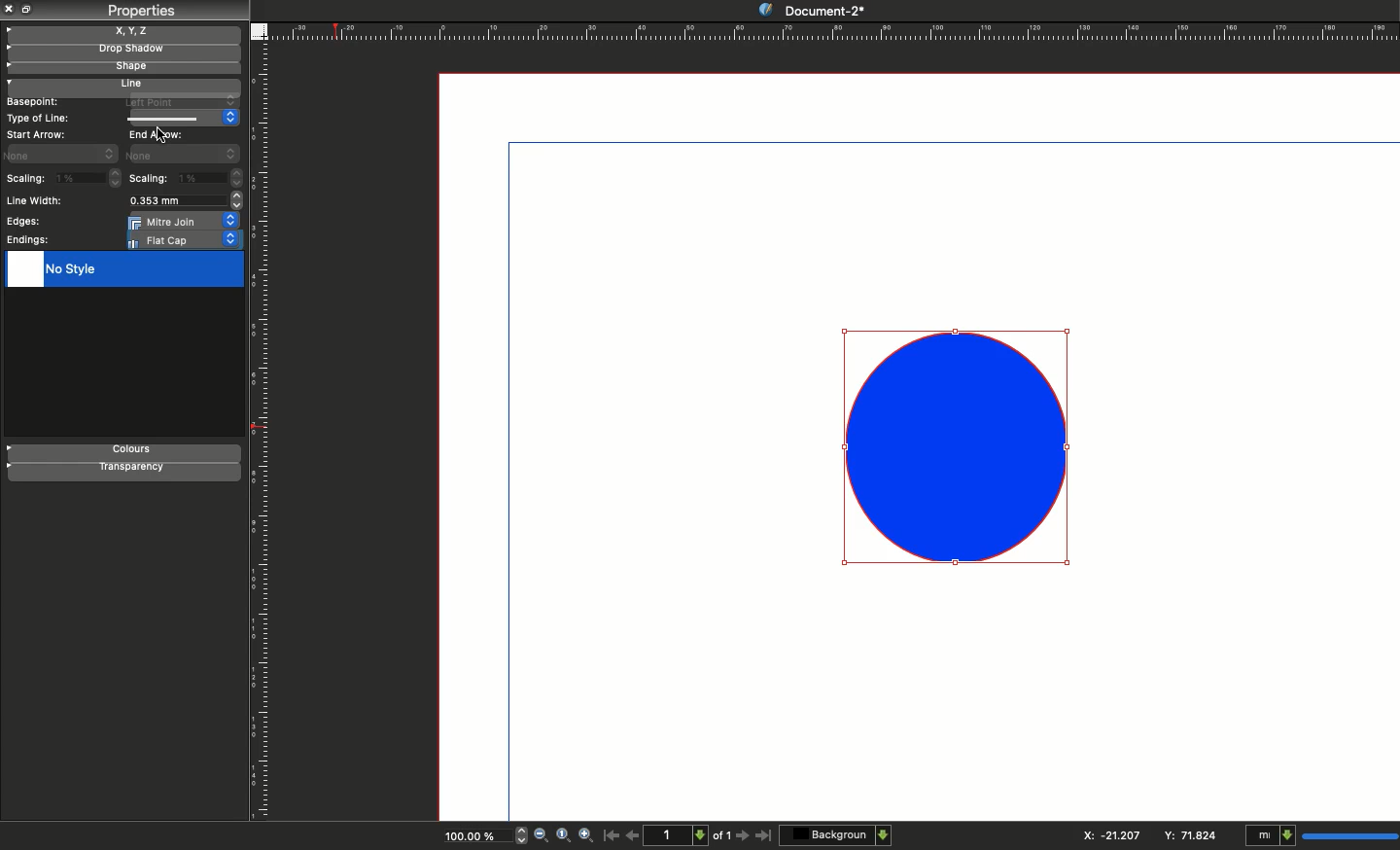  I want to click on Start arrow, so click(38, 134).